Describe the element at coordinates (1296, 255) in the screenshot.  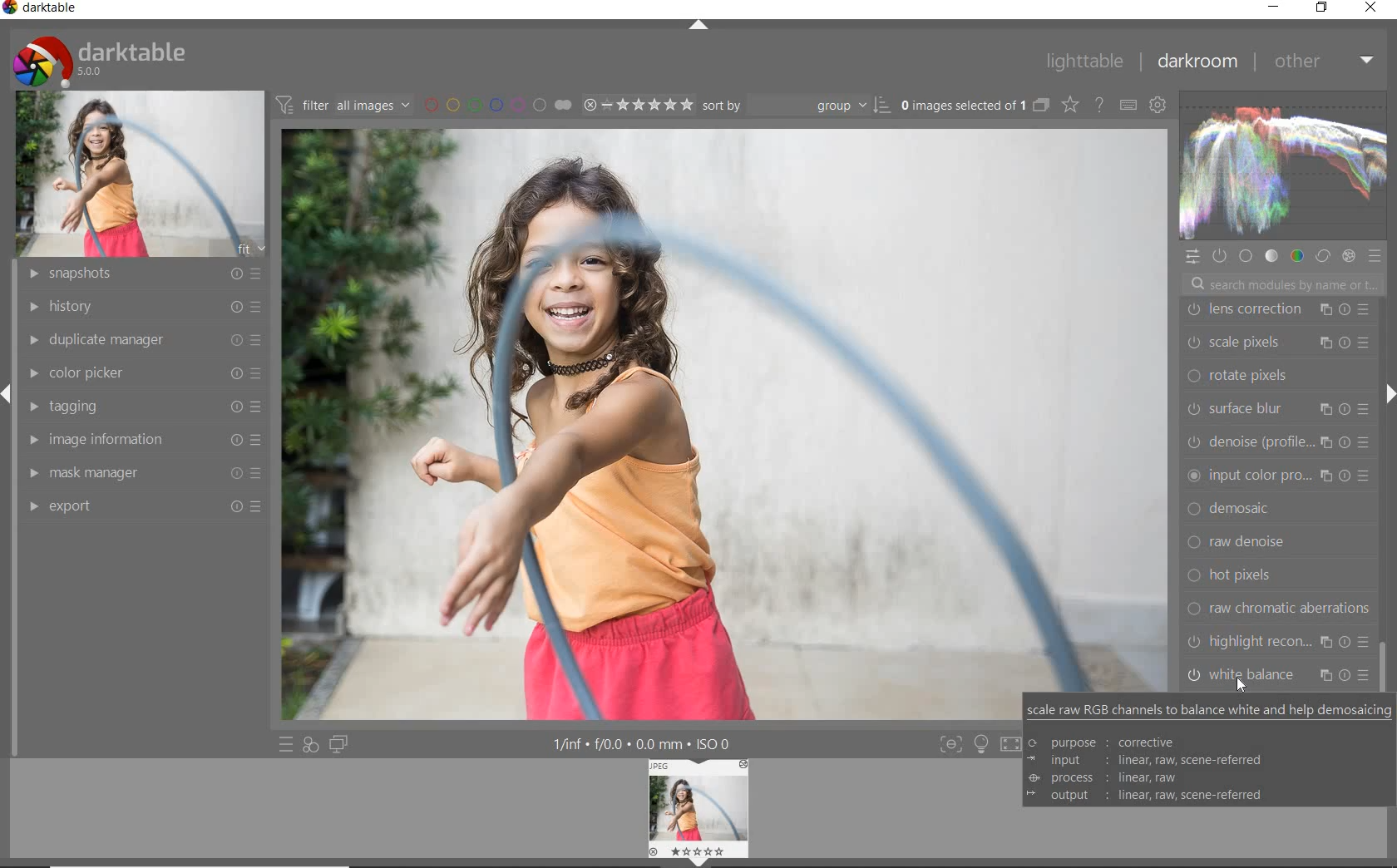
I see `color` at that location.